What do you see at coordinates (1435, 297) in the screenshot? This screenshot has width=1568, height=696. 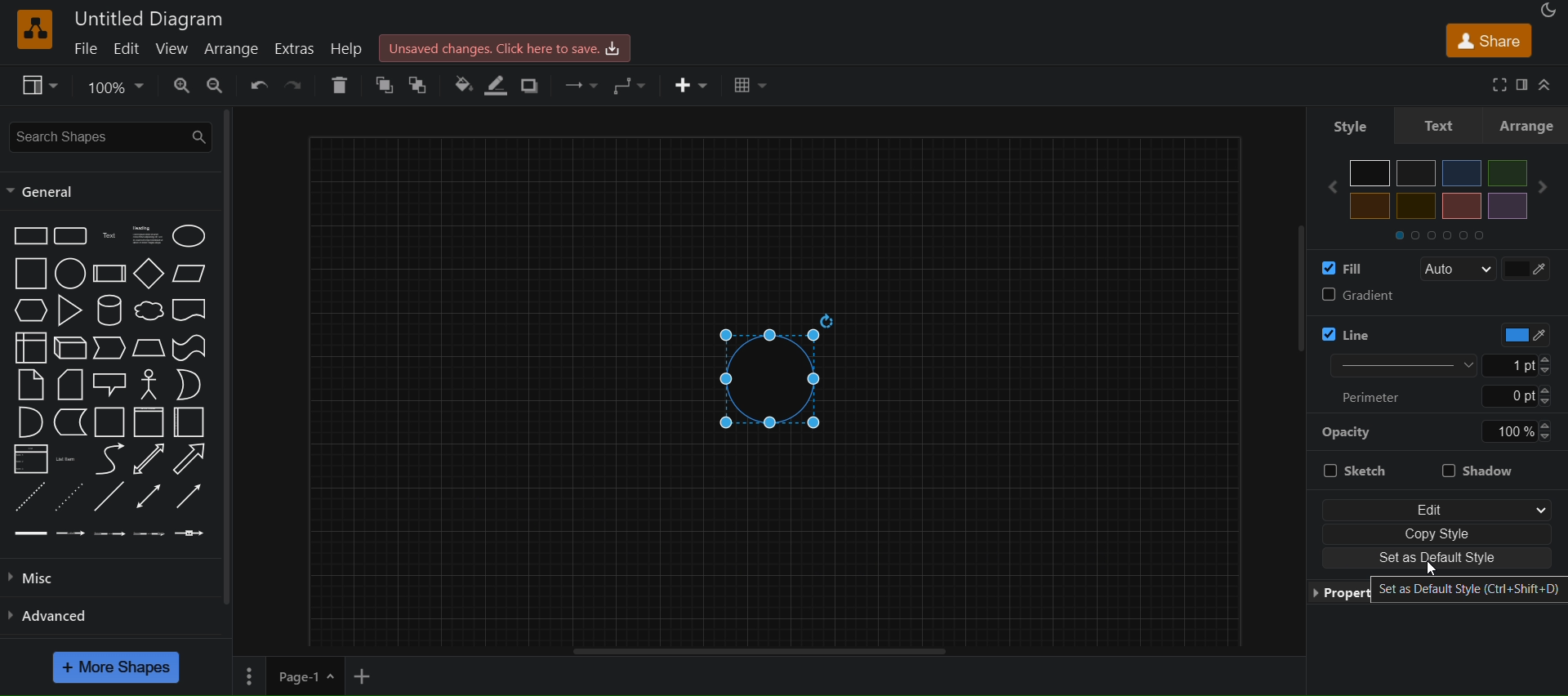 I see `gradient` at bounding box center [1435, 297].